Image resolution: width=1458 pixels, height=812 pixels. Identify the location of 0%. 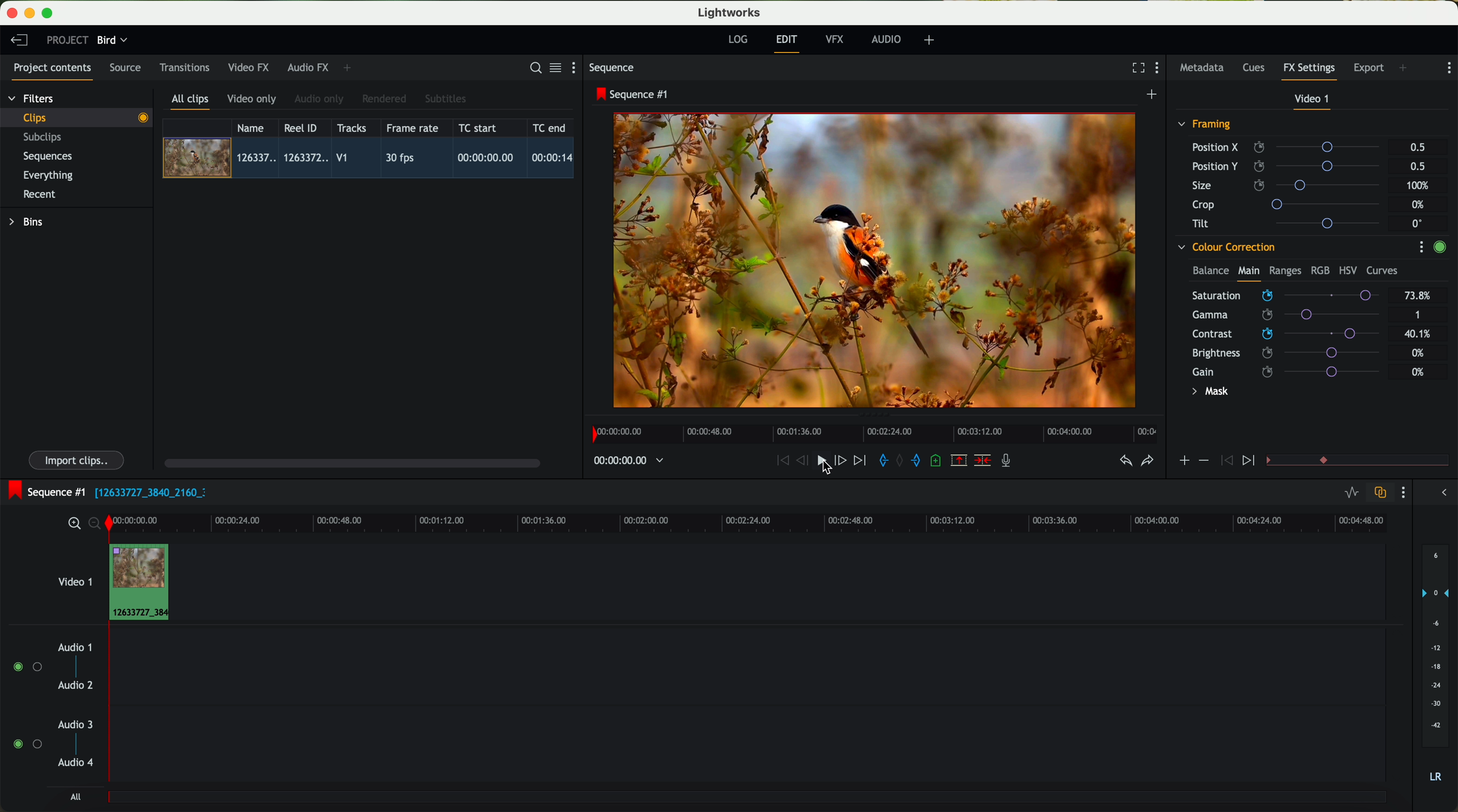
(1418, 351).